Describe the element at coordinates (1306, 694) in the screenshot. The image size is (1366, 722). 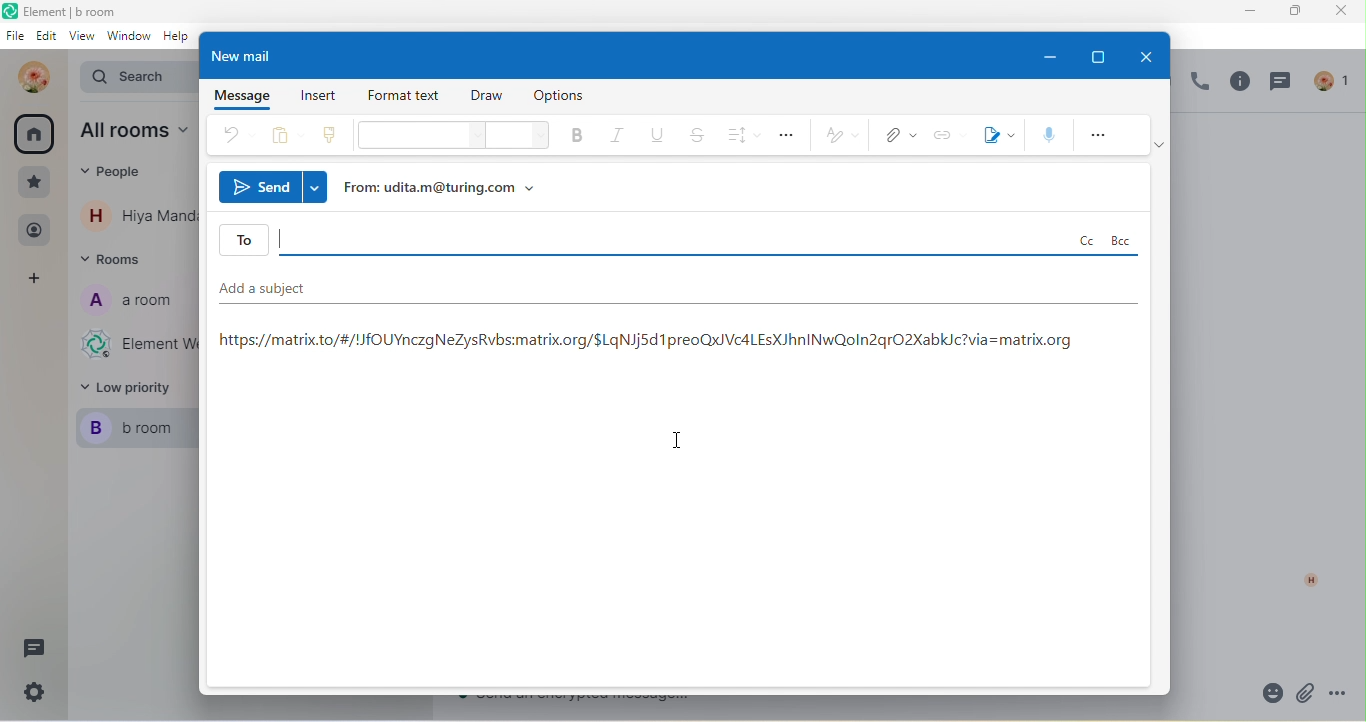
I see `attachment` at that location.